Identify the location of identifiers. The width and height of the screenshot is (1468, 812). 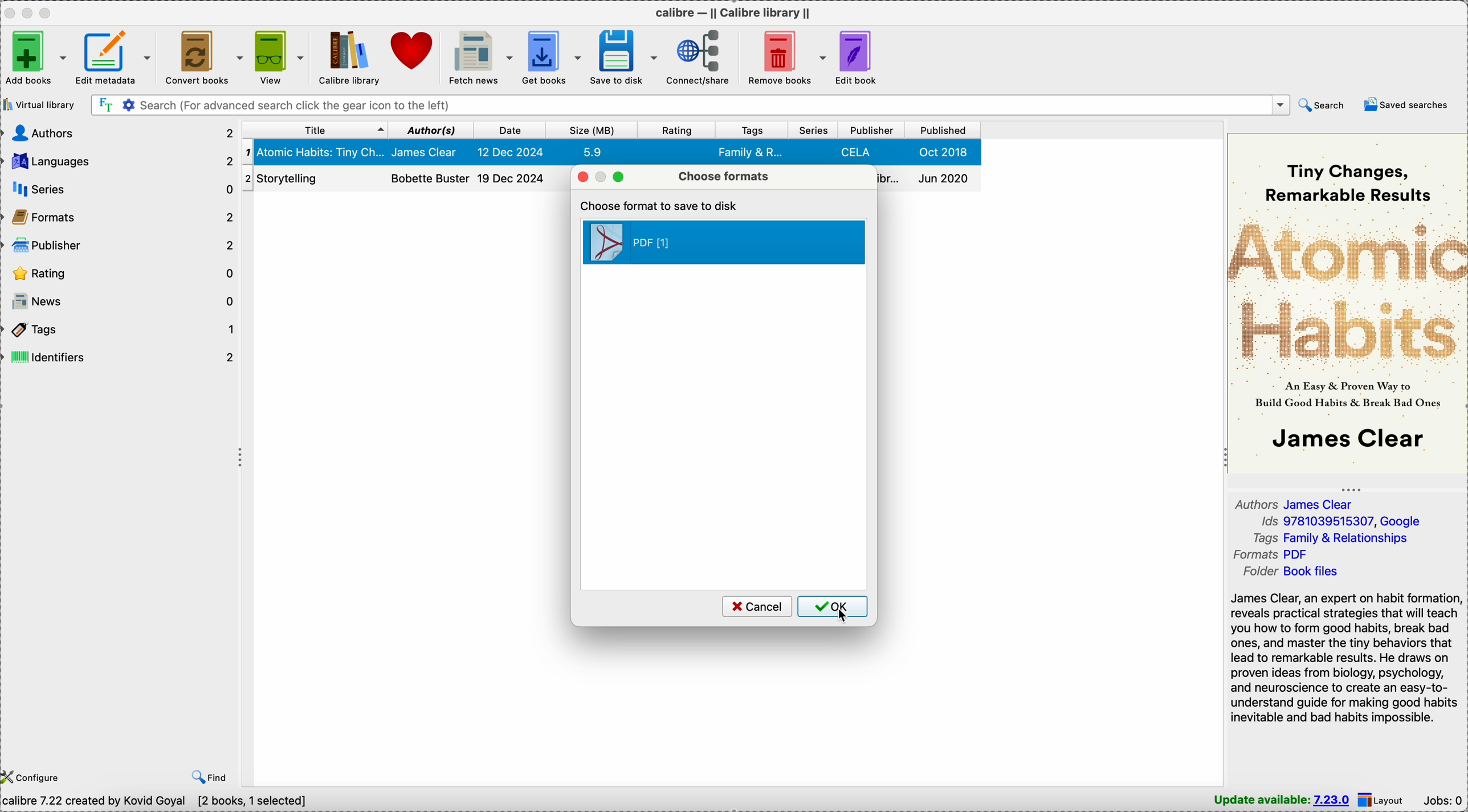
(121, 357).